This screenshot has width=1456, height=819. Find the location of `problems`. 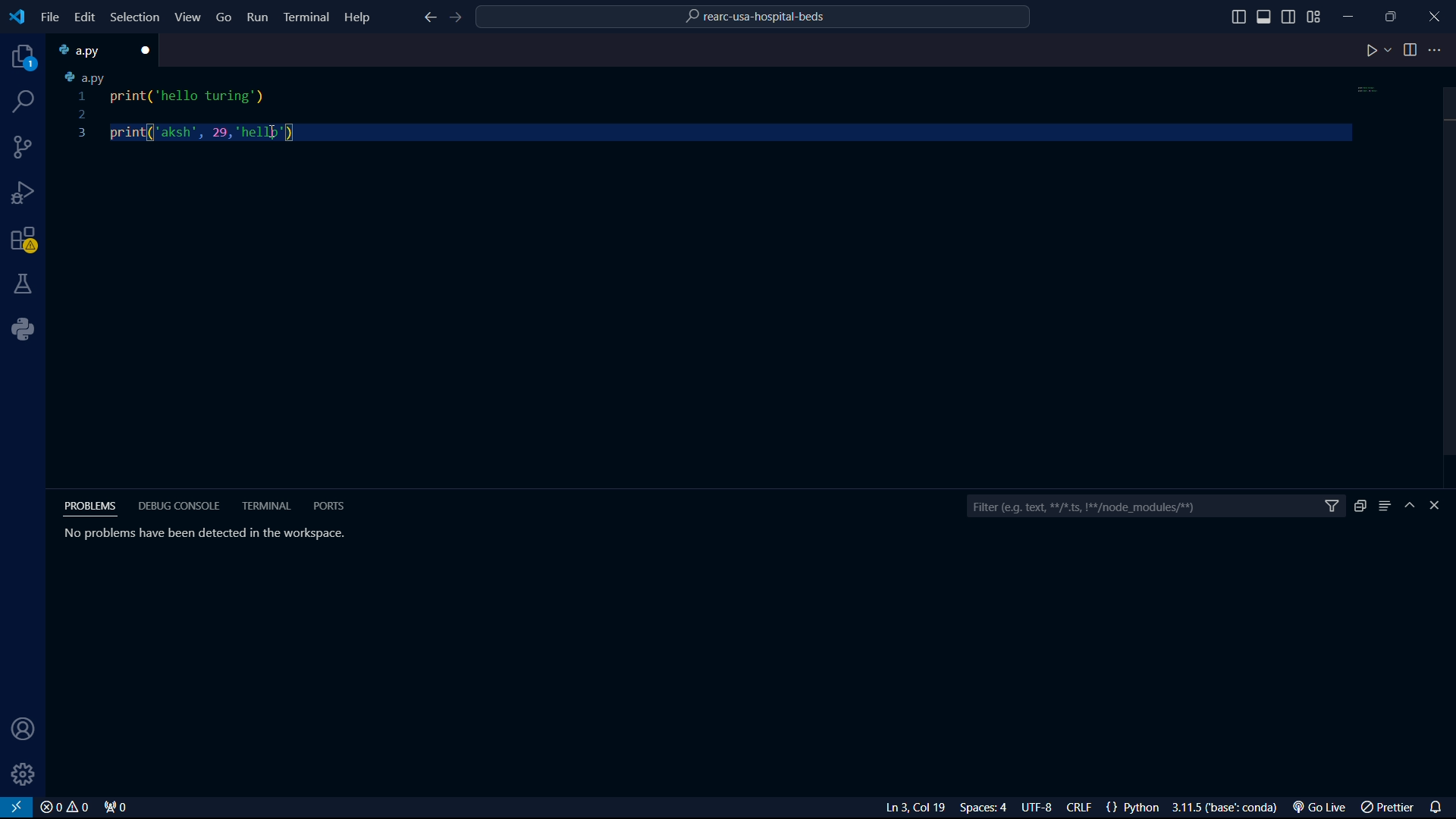

problems is located at coordinates (93, 506).